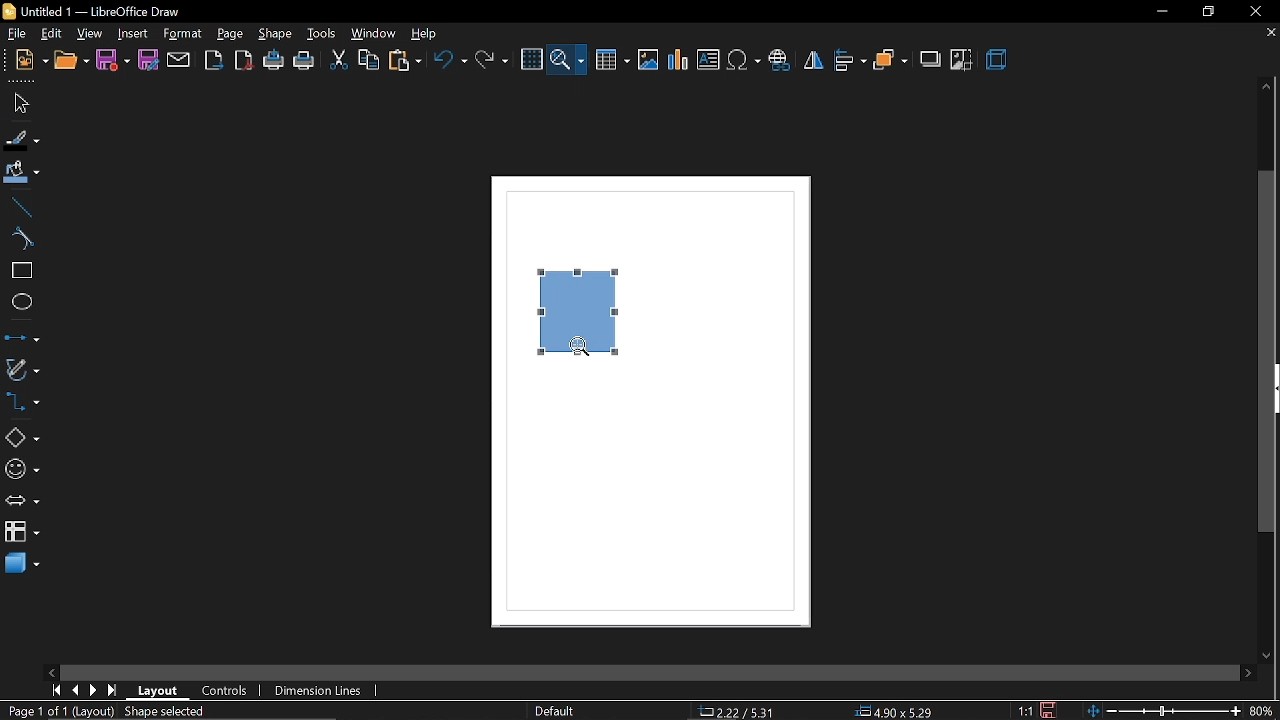  Describe the element at coordinates (93, 690) in the screenshot. I see `next page` at that location.